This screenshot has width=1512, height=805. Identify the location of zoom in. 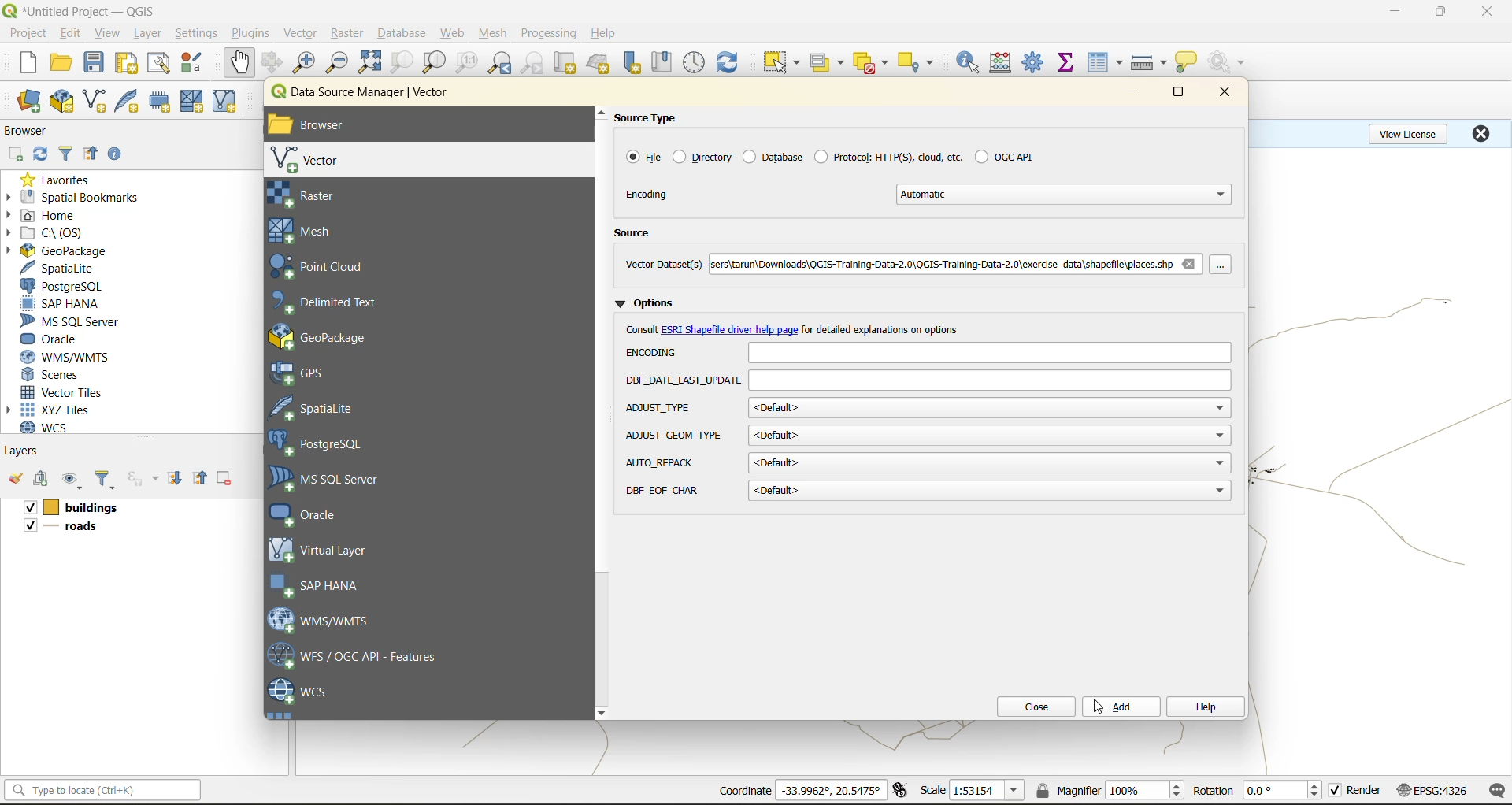
(307, 63).